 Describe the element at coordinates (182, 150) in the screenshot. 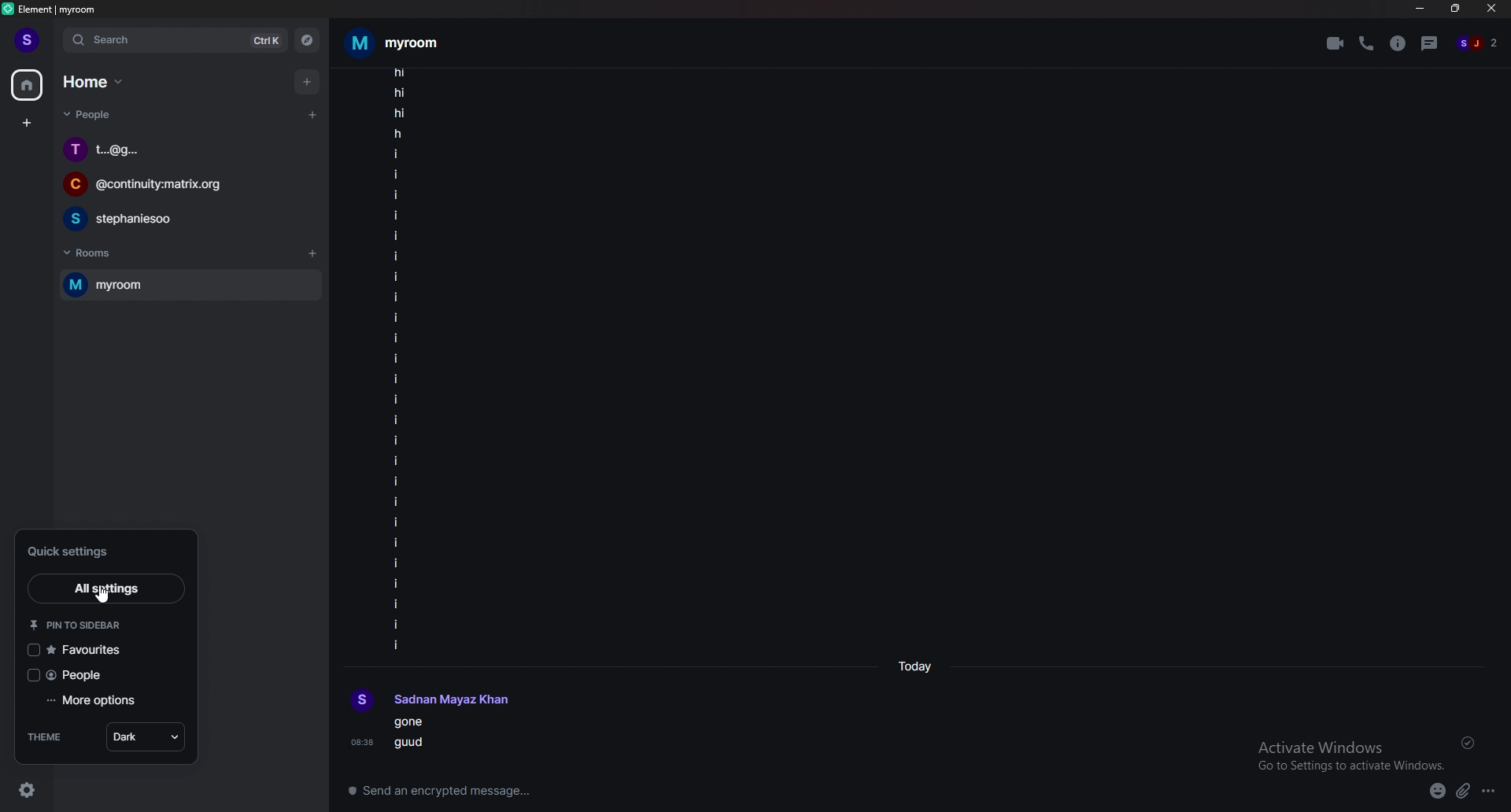

I see `chat` at that location.